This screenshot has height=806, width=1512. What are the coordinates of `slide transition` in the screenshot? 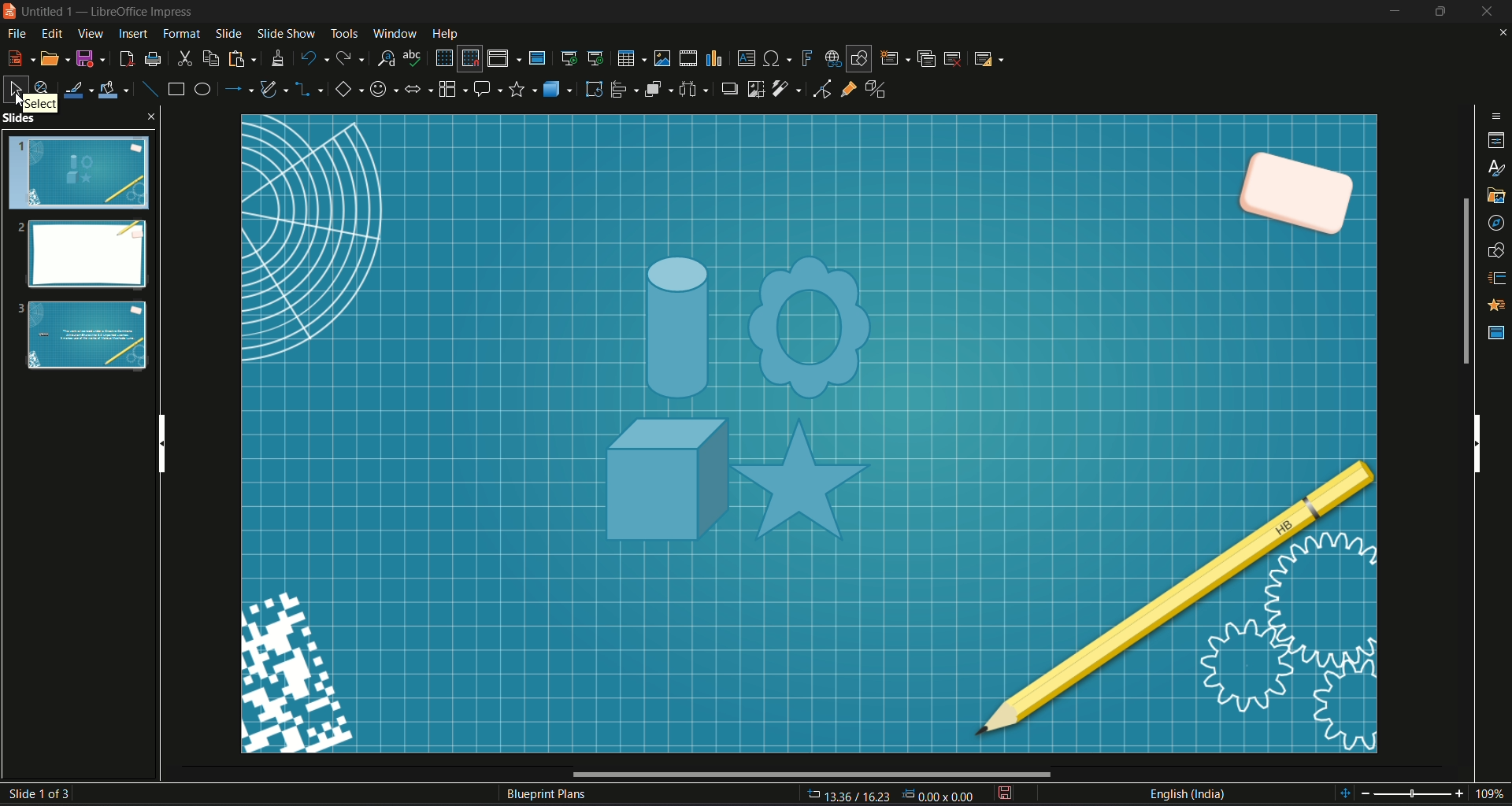 It's located at (1498, 279).